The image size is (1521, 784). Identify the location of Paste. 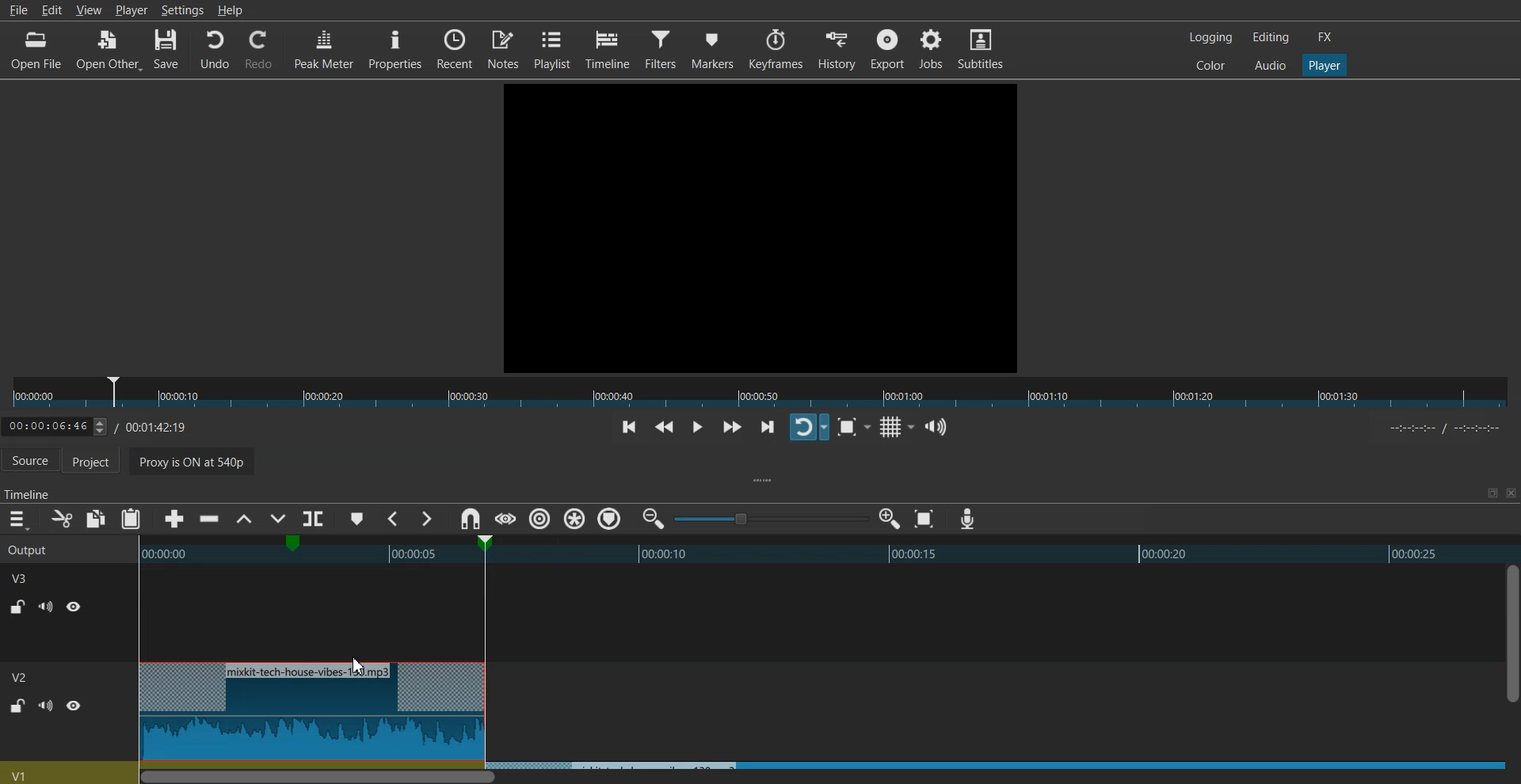
(131, 519).